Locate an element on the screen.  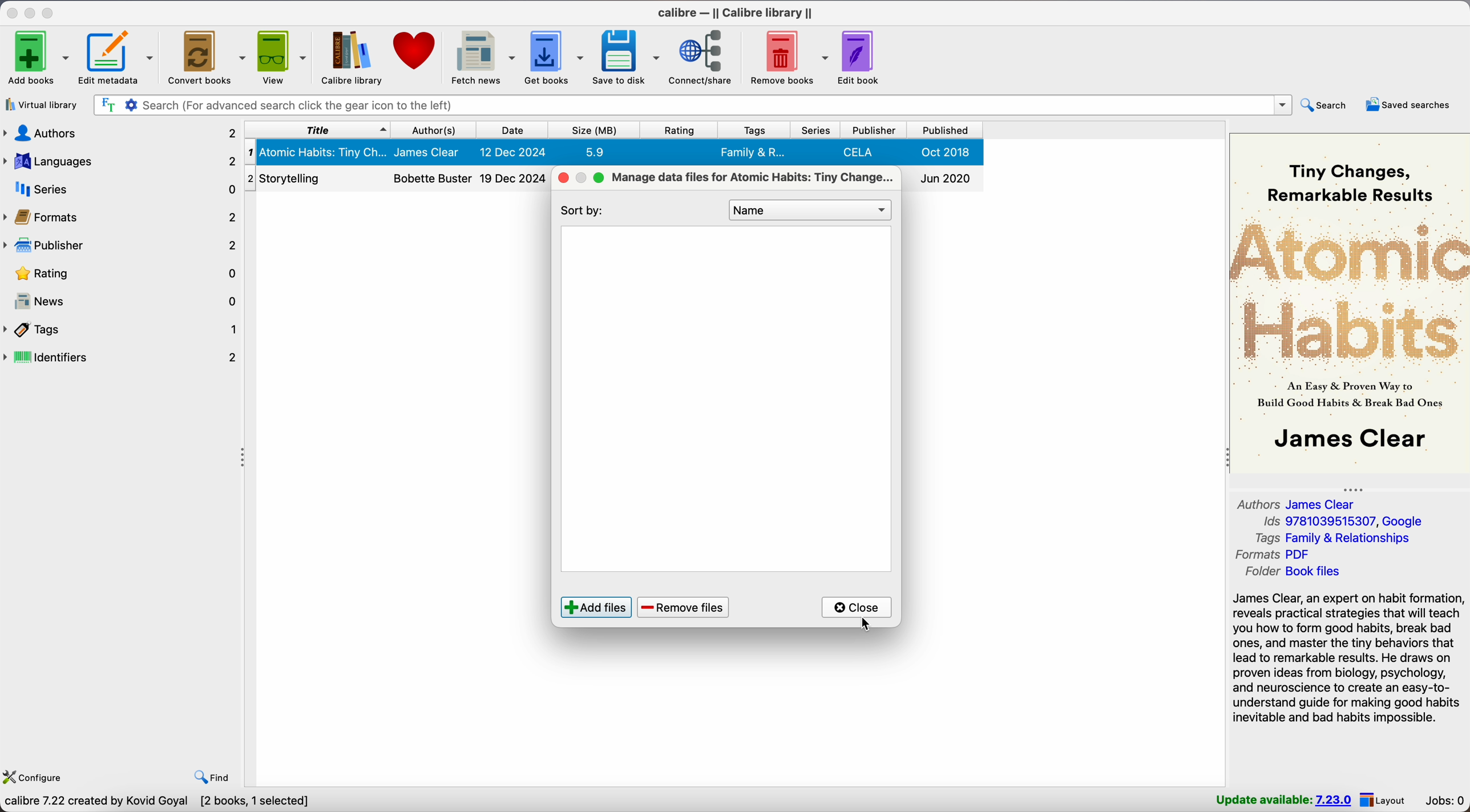
authors is located at coordinates (120, 134).